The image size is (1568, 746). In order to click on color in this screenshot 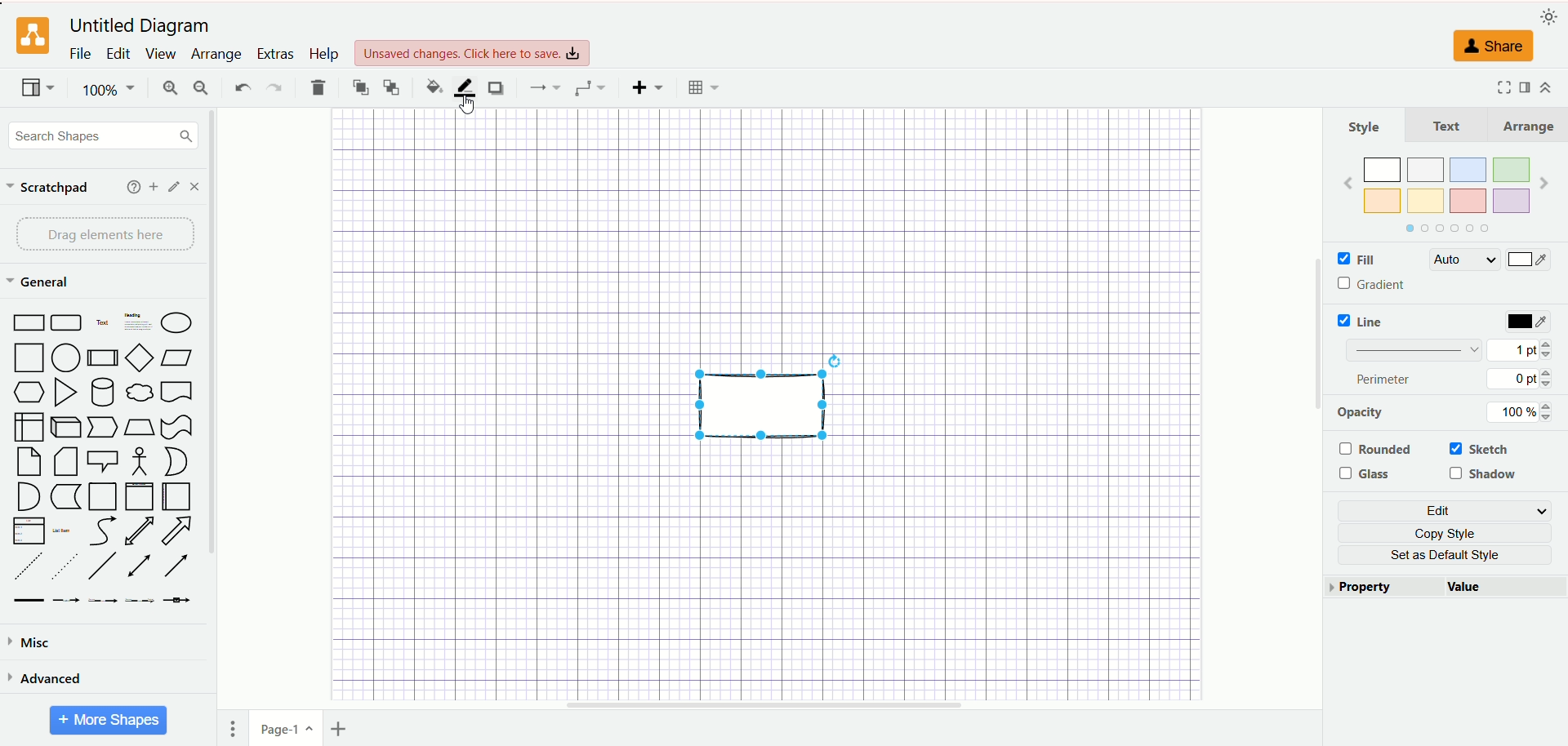, I will do `click(1445, 193)`.